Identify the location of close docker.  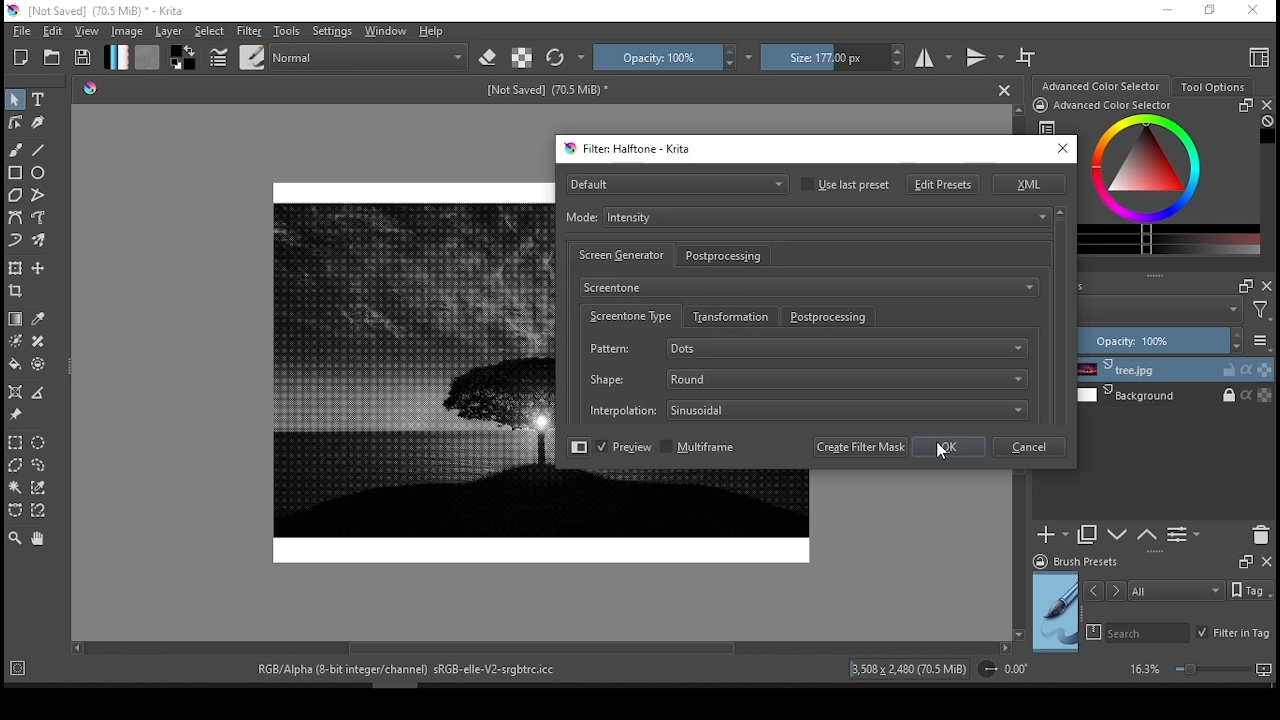
(1265, 562).